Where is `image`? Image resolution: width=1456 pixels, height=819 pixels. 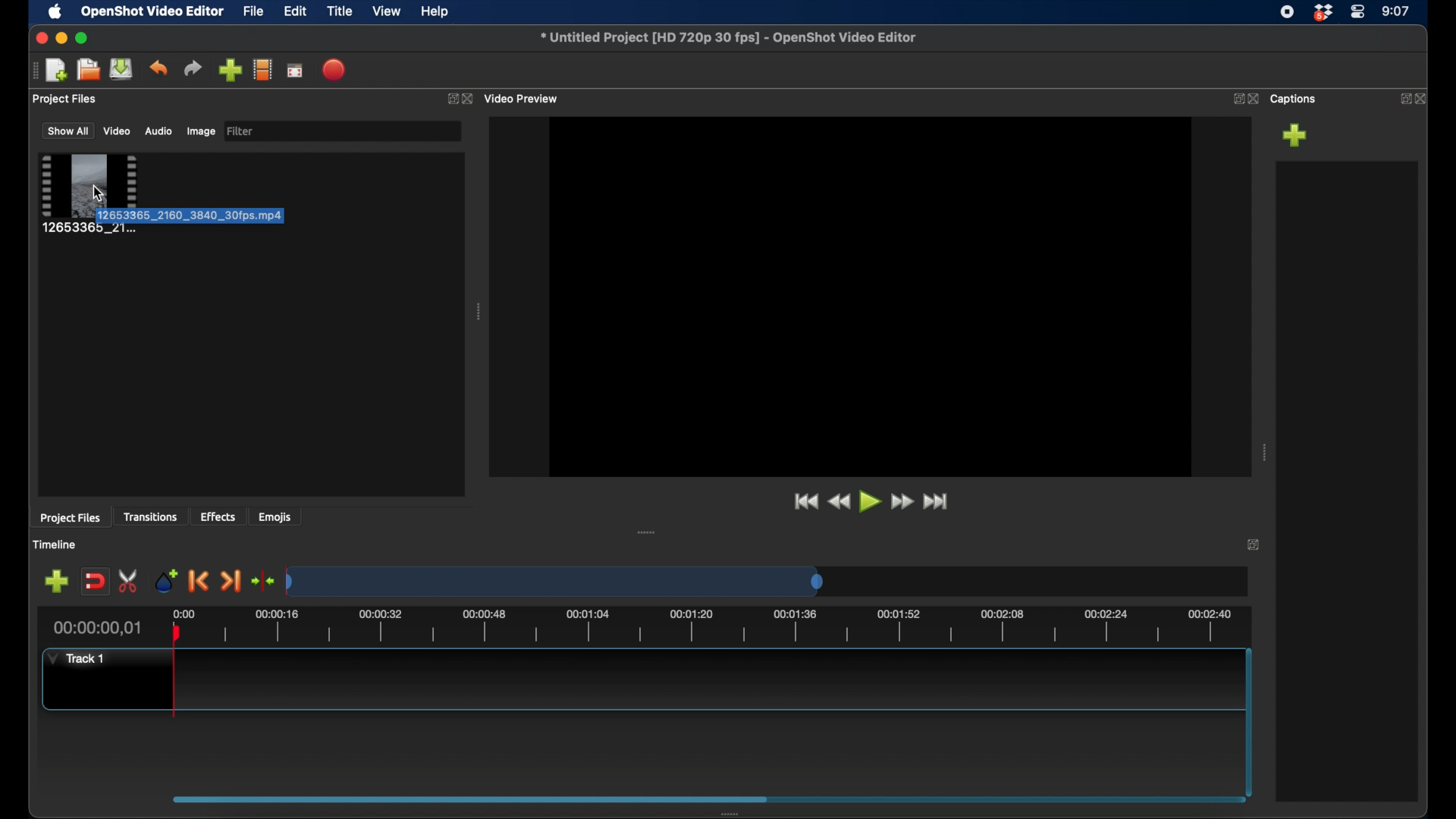
image is located at coordinates (200, 131).